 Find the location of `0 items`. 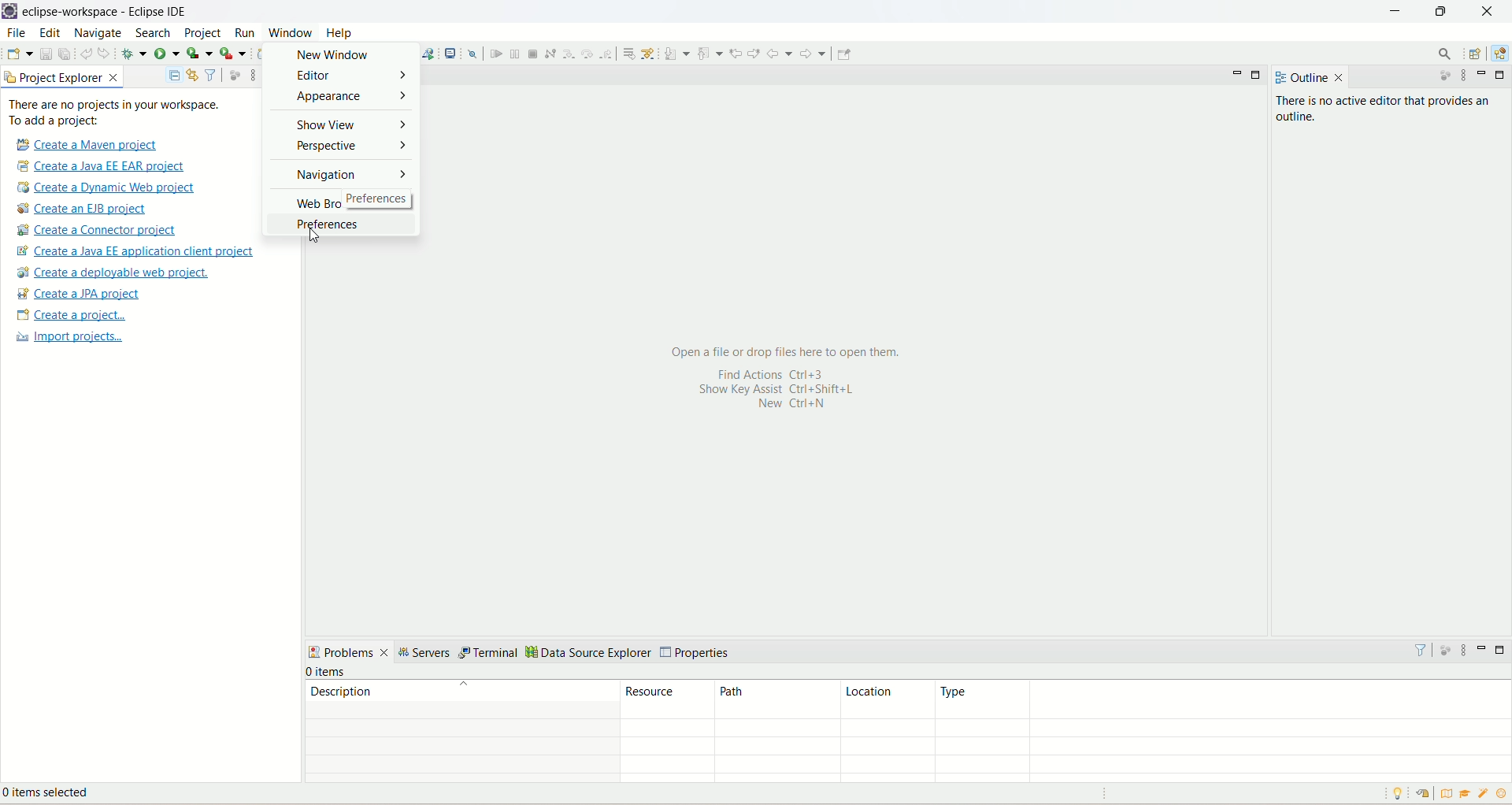

0 items is located at coordinates (328, 672).